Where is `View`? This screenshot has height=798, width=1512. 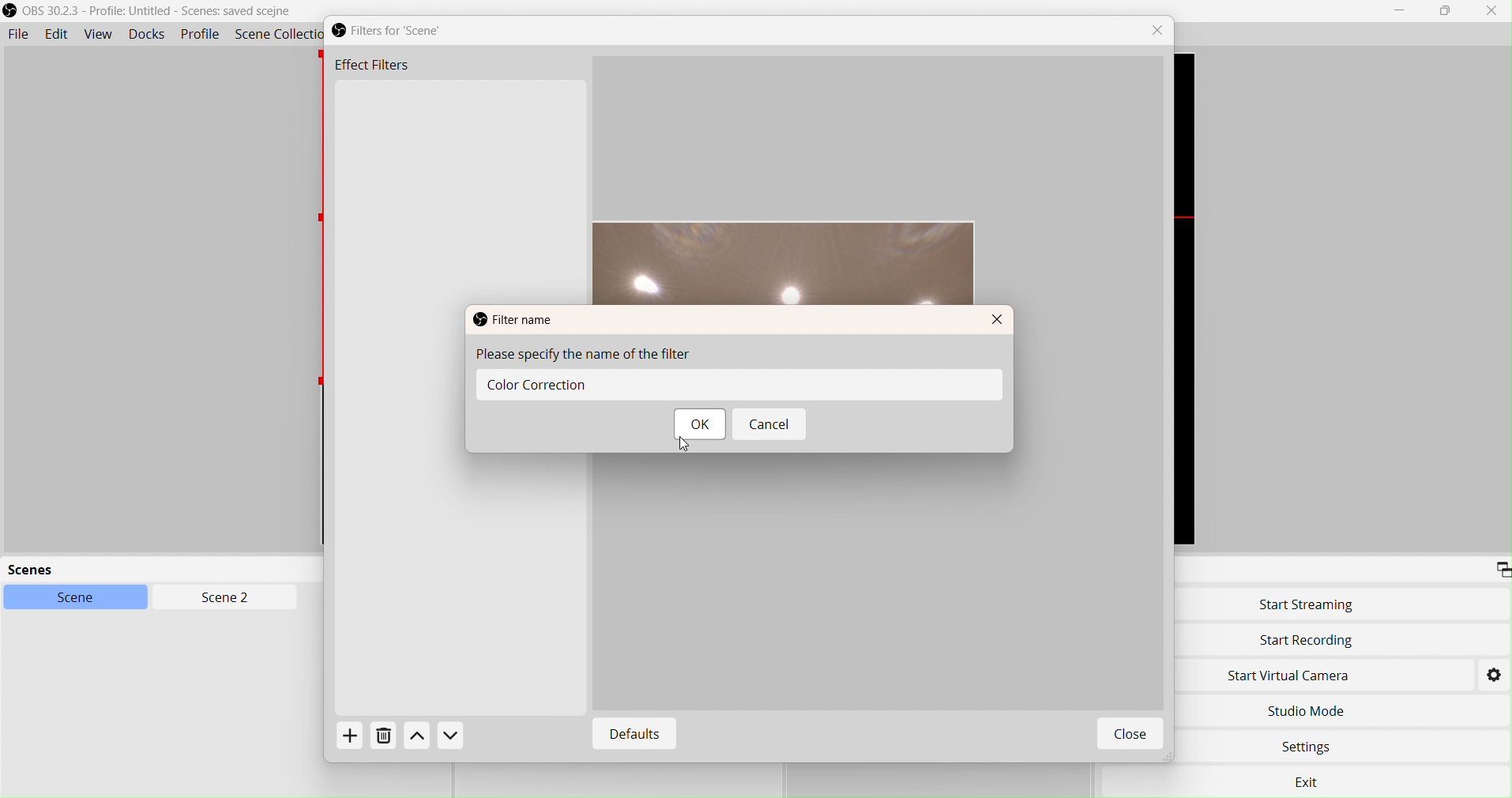 View is located at coordinates (99, 35).